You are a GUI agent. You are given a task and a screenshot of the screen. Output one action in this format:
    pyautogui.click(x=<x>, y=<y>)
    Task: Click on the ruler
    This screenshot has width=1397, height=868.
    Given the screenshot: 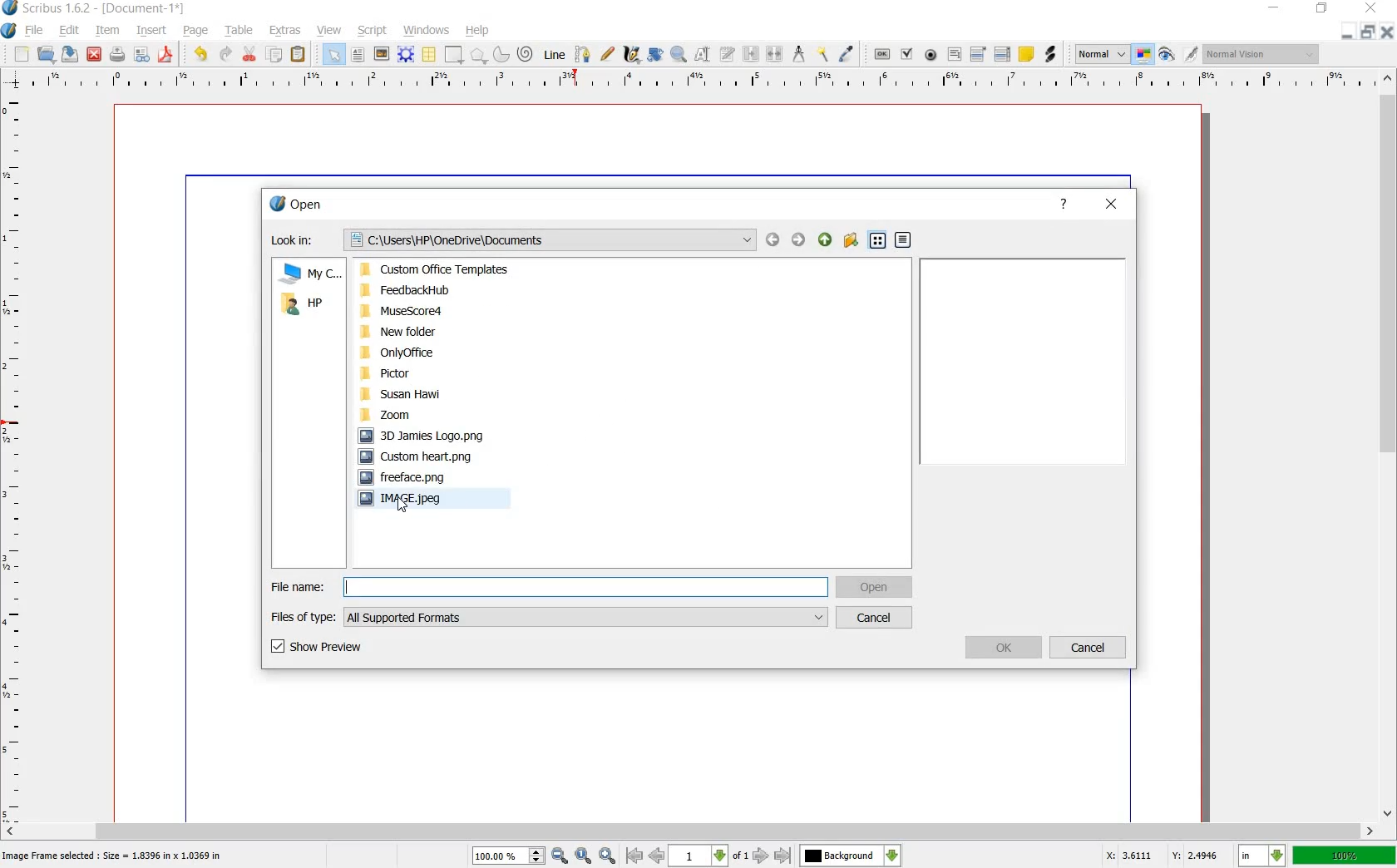 What is the action you would take?
    pyautogui.click(x=689, y=81)
    